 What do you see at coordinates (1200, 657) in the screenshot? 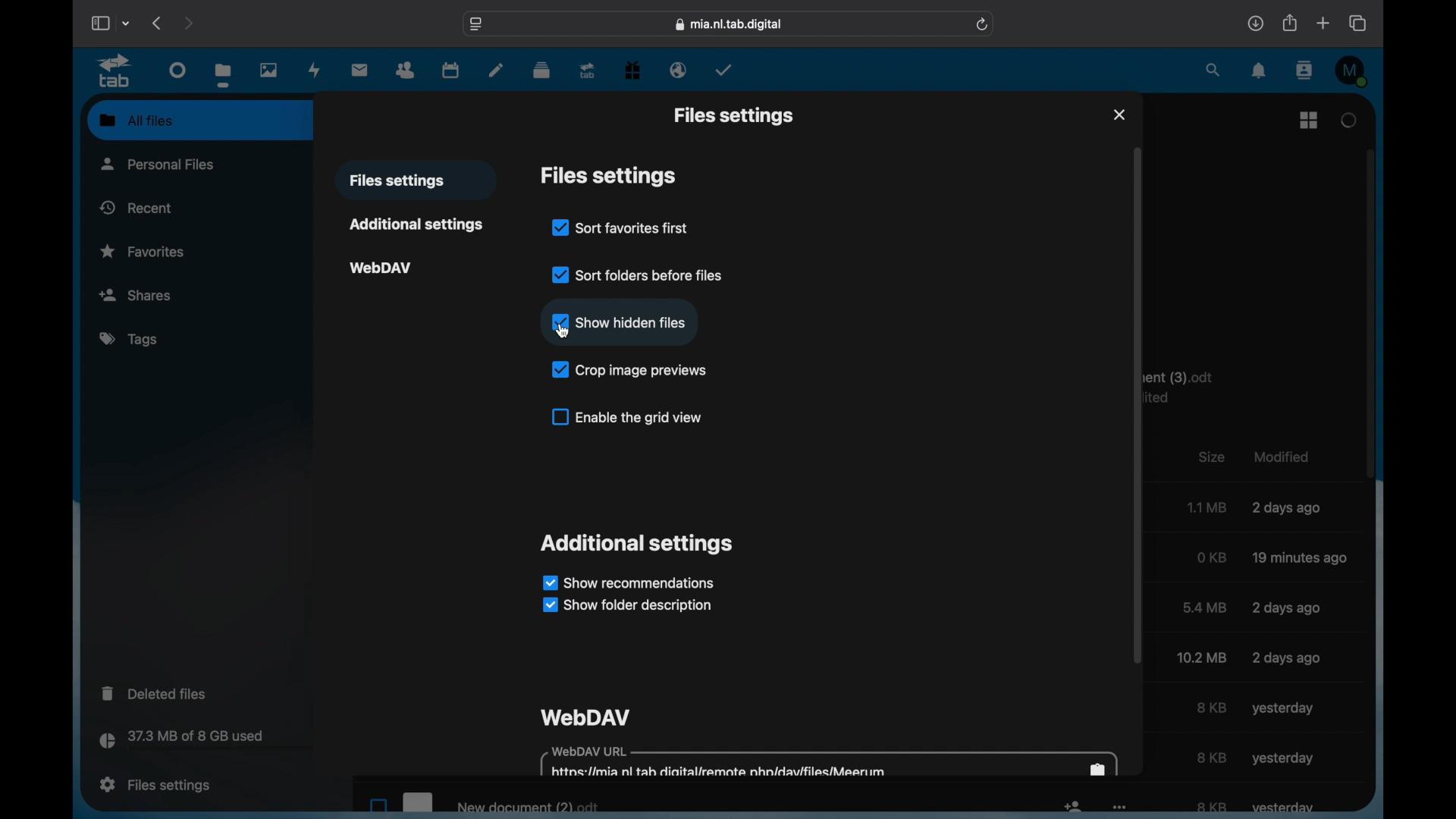
I see `size` at bounding box center [1200, 657].